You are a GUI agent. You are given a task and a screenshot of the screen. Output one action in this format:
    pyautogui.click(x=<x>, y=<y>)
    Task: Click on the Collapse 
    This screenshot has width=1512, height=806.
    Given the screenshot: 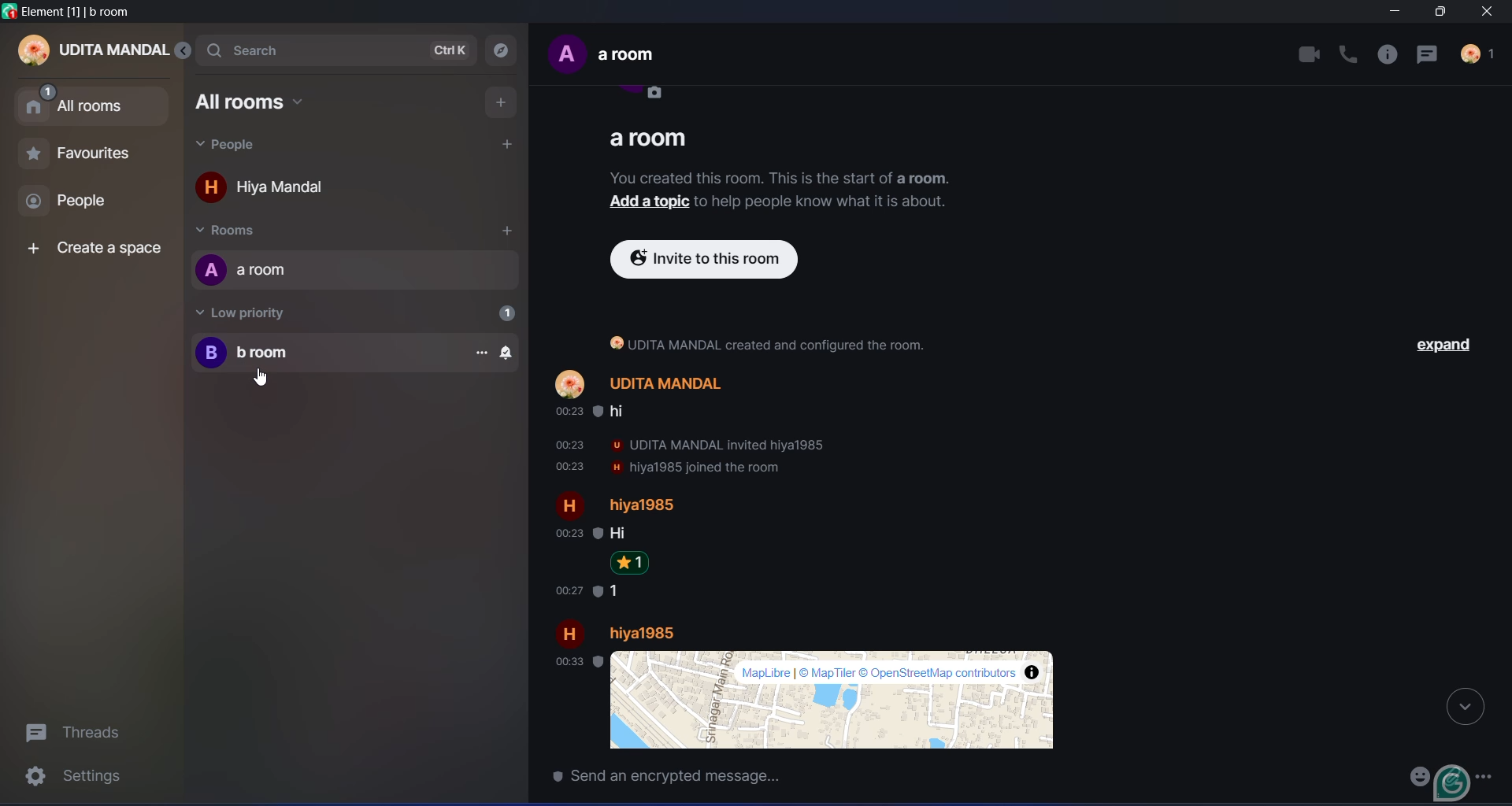 What is the action you would take?
    pyautogui.click(x=1465, y=705)
    